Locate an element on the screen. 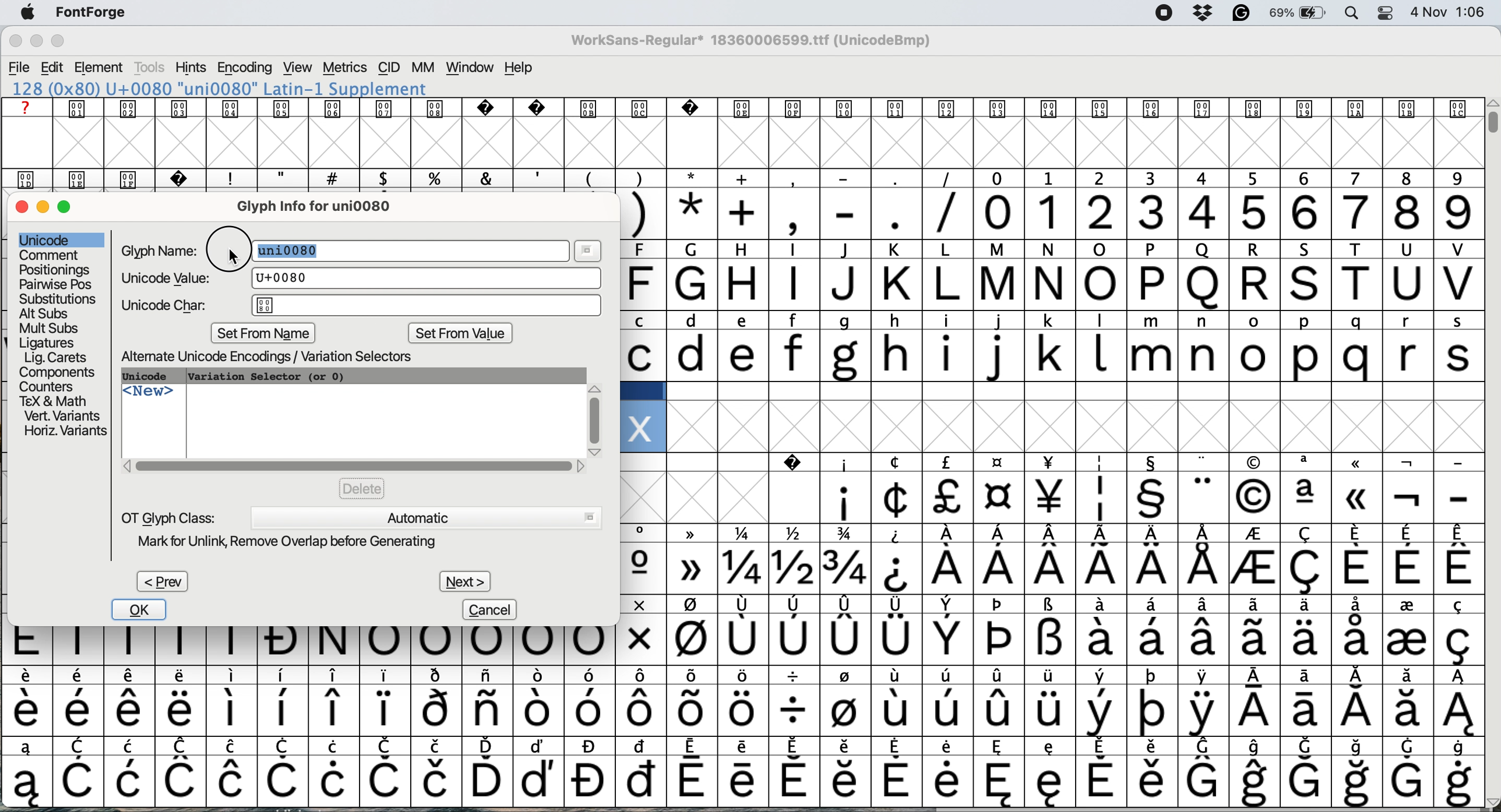 The width and height of the screenshot is (1501, 812). special characters is located at coordinates (792, 213).